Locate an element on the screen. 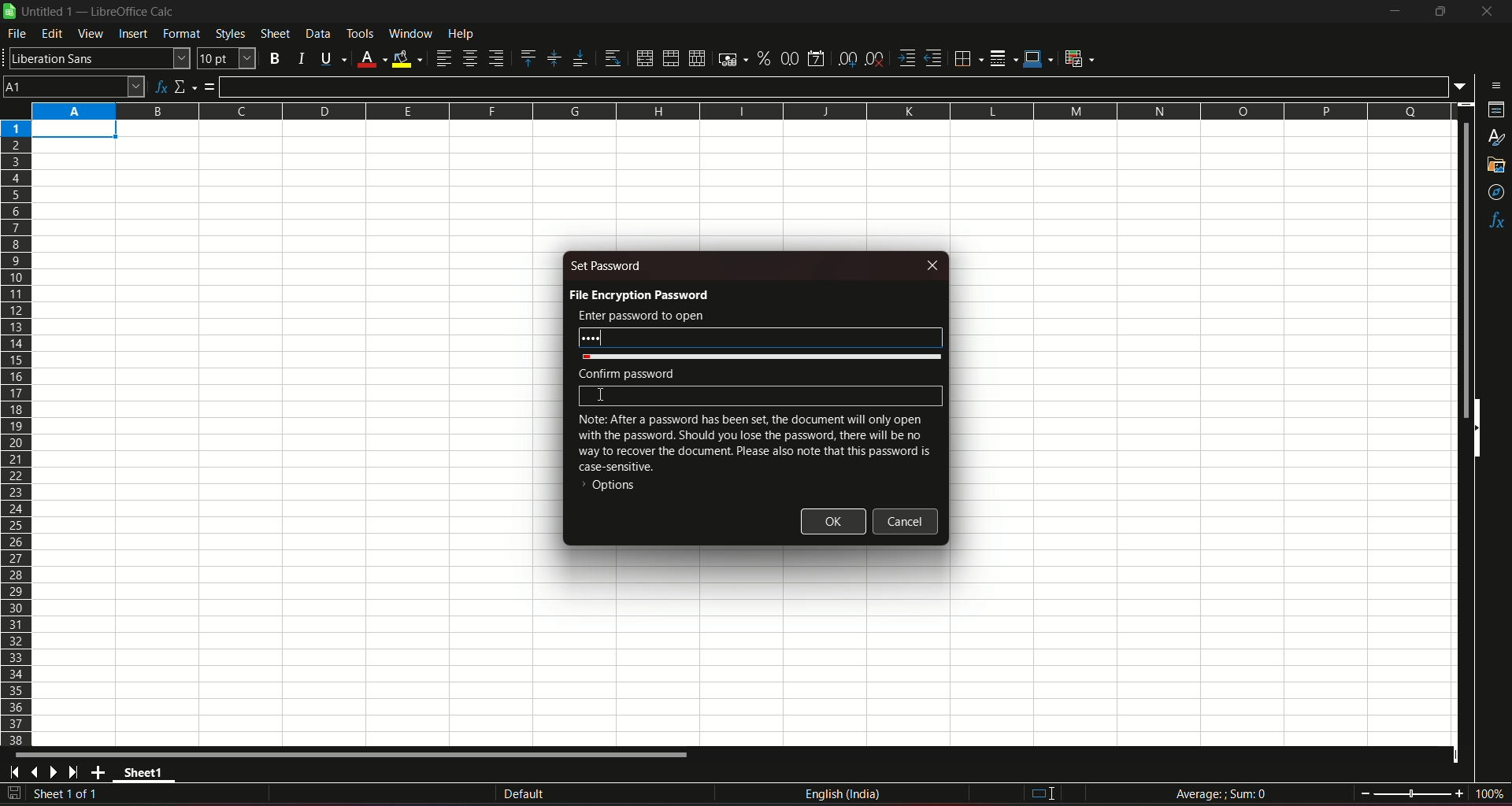  file encryption password is located at coordinates (638, 294).